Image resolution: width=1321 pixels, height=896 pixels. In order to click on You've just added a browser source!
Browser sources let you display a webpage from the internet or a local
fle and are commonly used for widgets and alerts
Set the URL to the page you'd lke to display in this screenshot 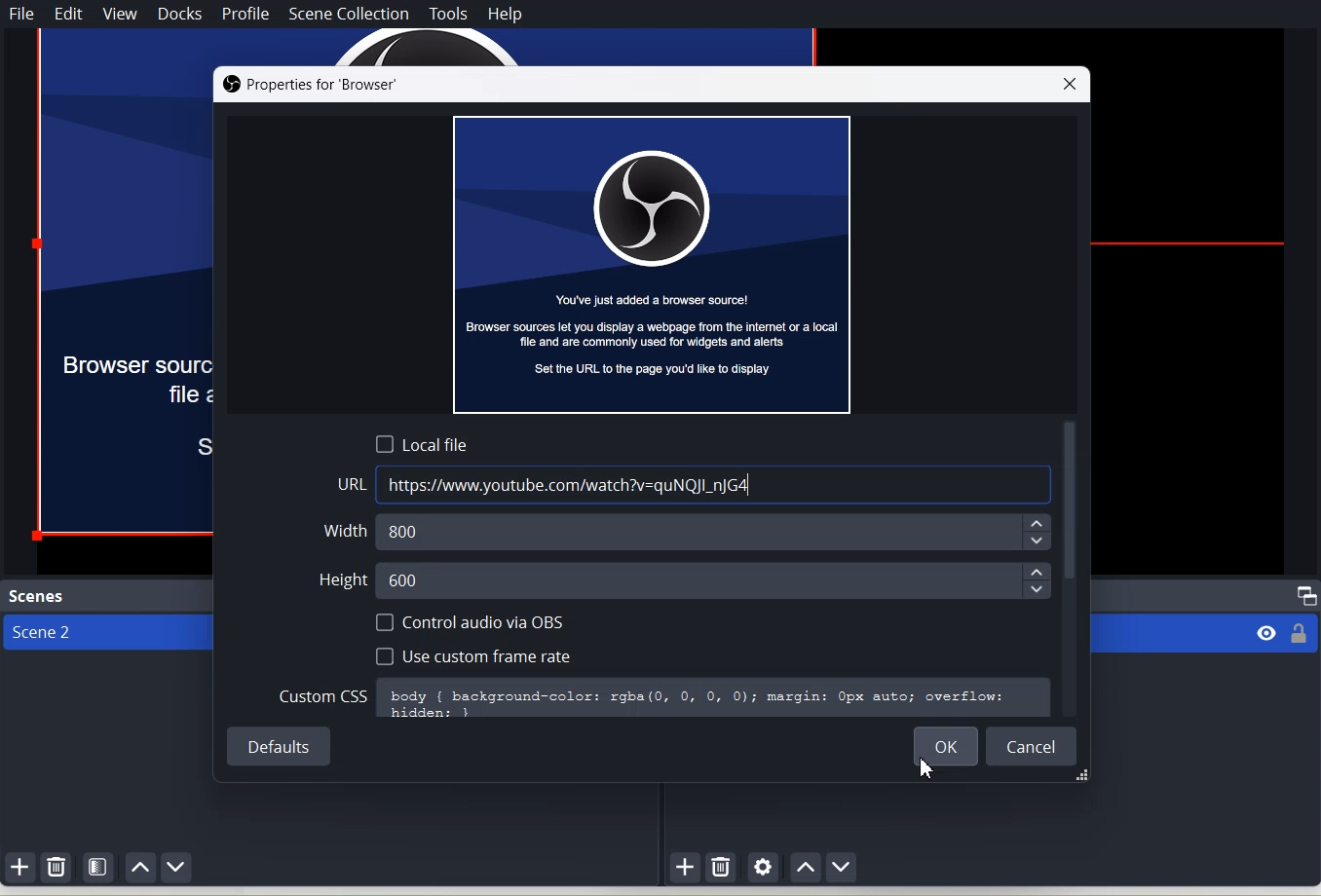, I will do `click(652, 269)`.